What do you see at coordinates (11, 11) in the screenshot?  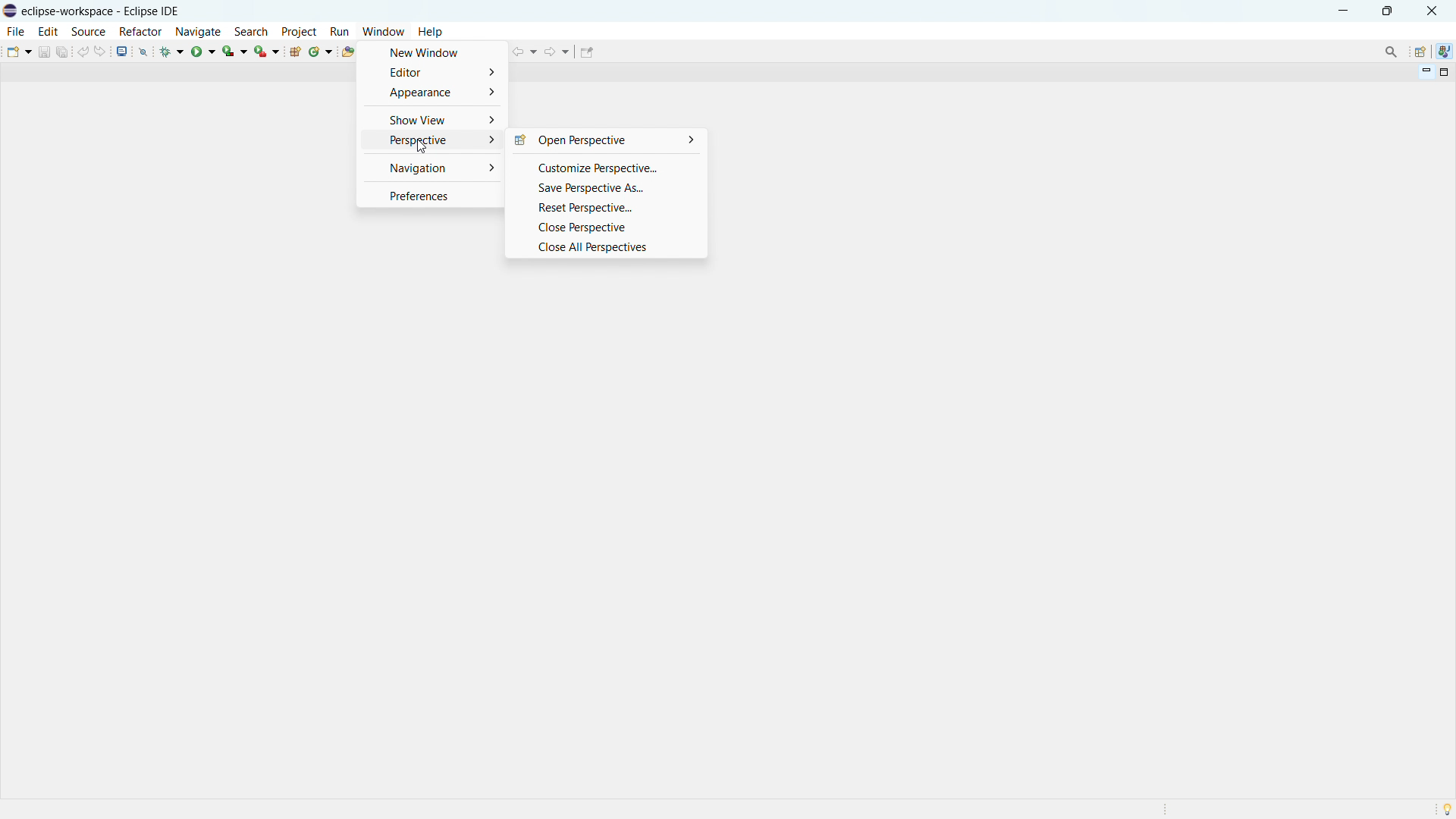 I see `logo` at bounding box center [11, 11].